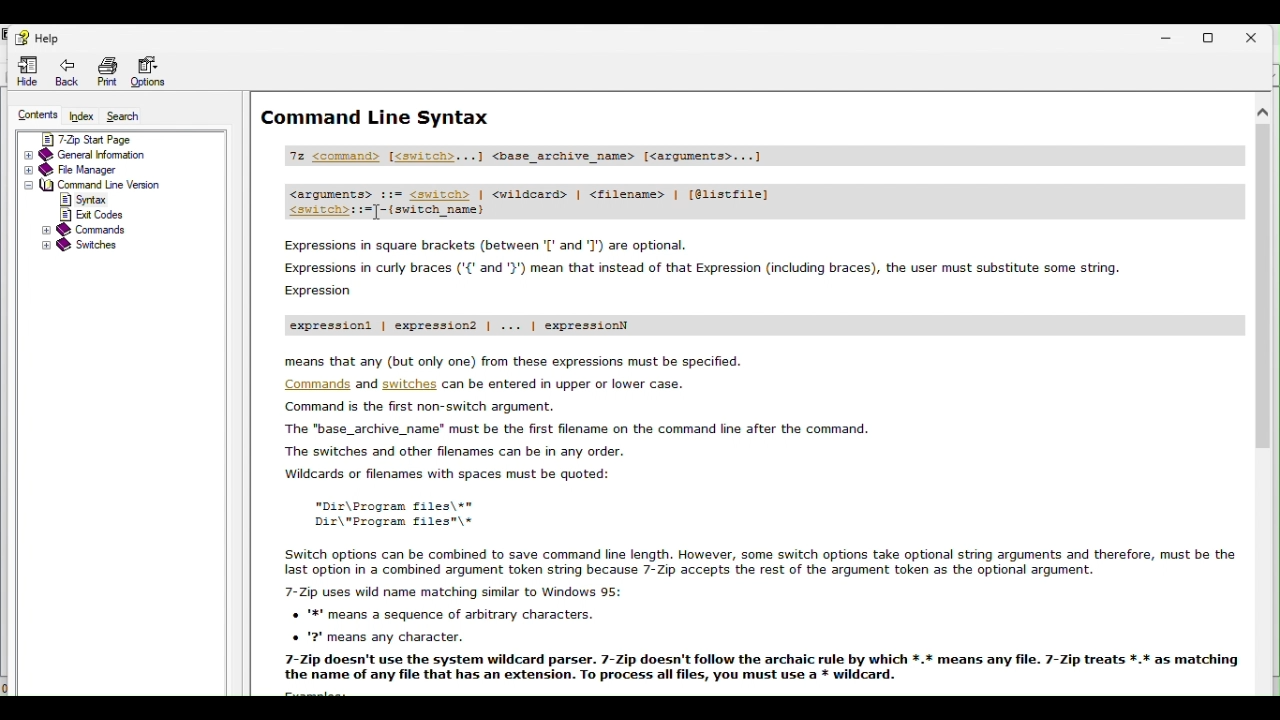 Image resolution: width=1280 pixels, height=720 pixels. Describe the element at coordinates (87, 170) in the screenshot. I see `File manager` at that location.